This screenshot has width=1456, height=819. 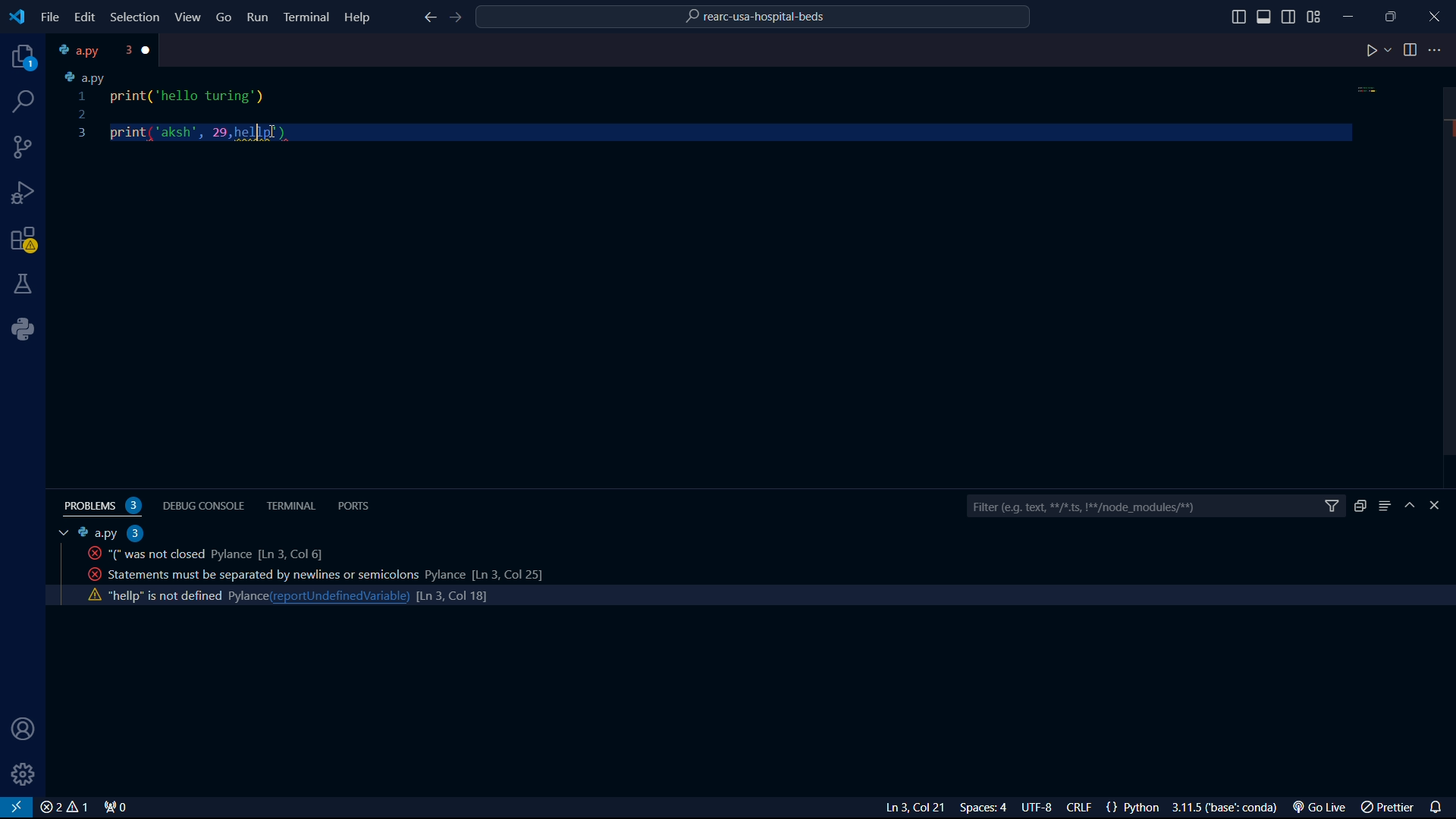 I want to click on minimize, so click(x=1353, y=13).